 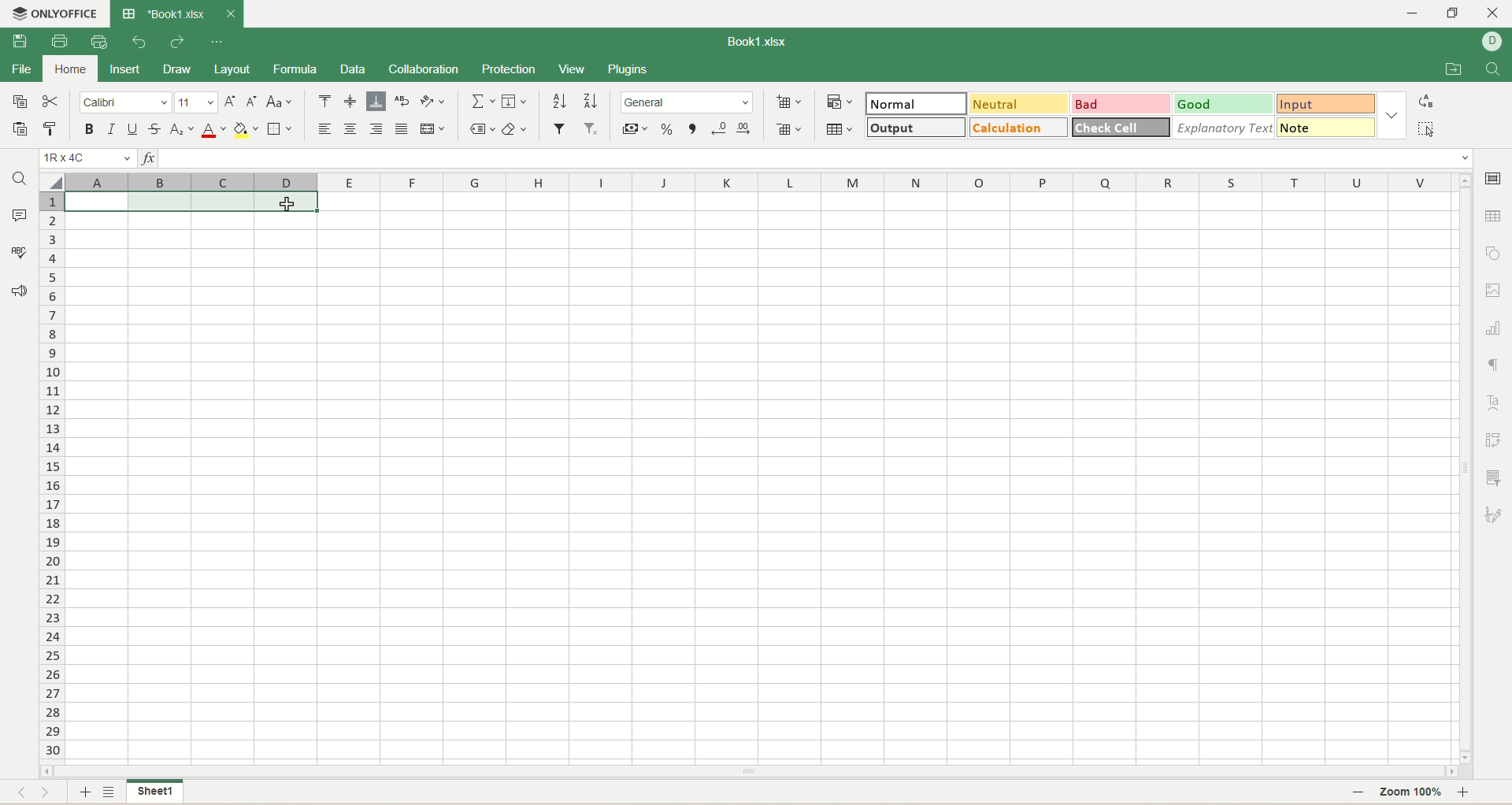 I want to click on replace, so click(x=1425, y=102).